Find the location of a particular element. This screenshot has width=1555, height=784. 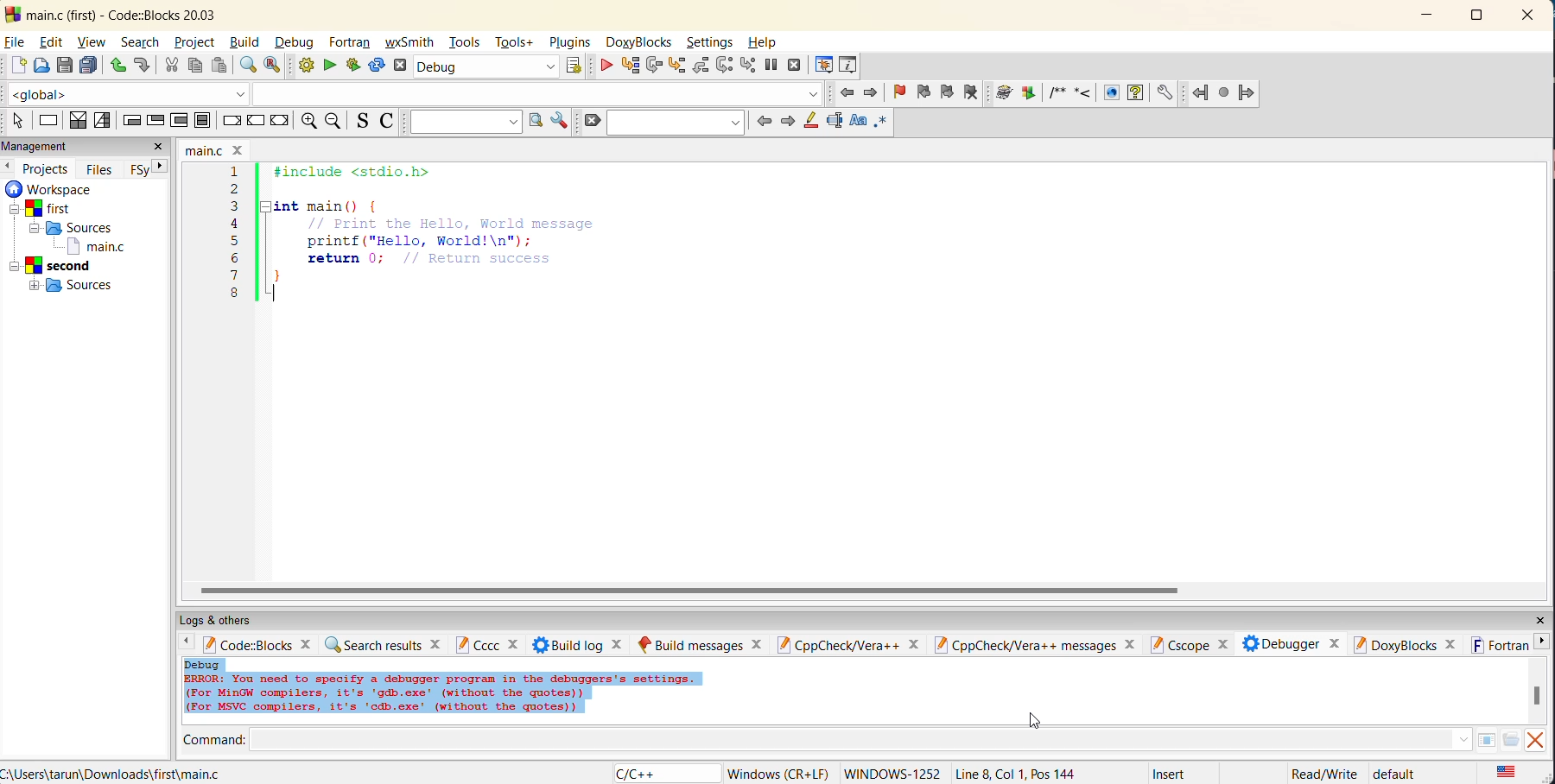

decision is located at coordinates (76, 122).